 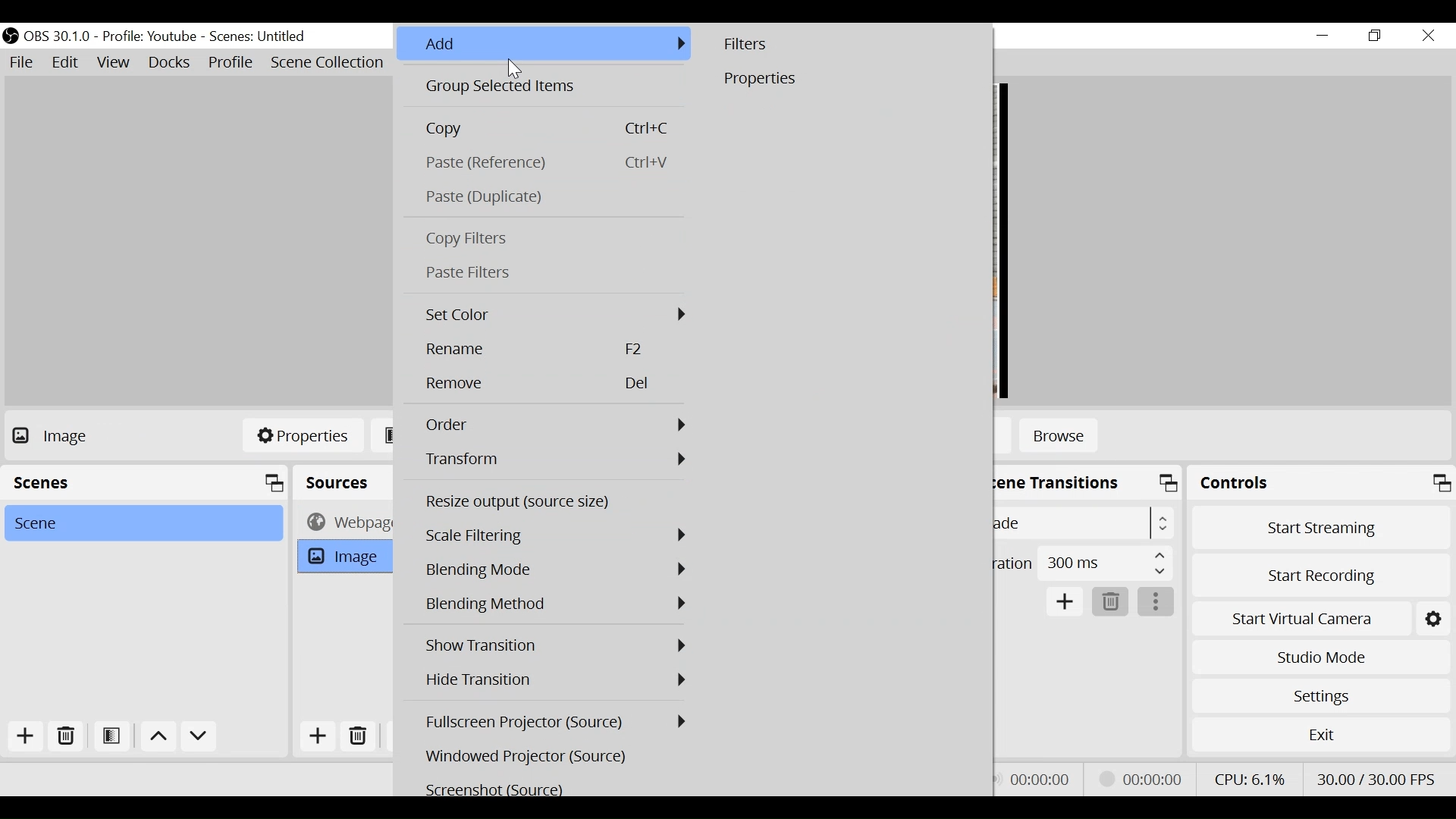 What do you see at coordinates (231, 64) in the screenshot?
I see `Profile` at bounding box center [231, 64].